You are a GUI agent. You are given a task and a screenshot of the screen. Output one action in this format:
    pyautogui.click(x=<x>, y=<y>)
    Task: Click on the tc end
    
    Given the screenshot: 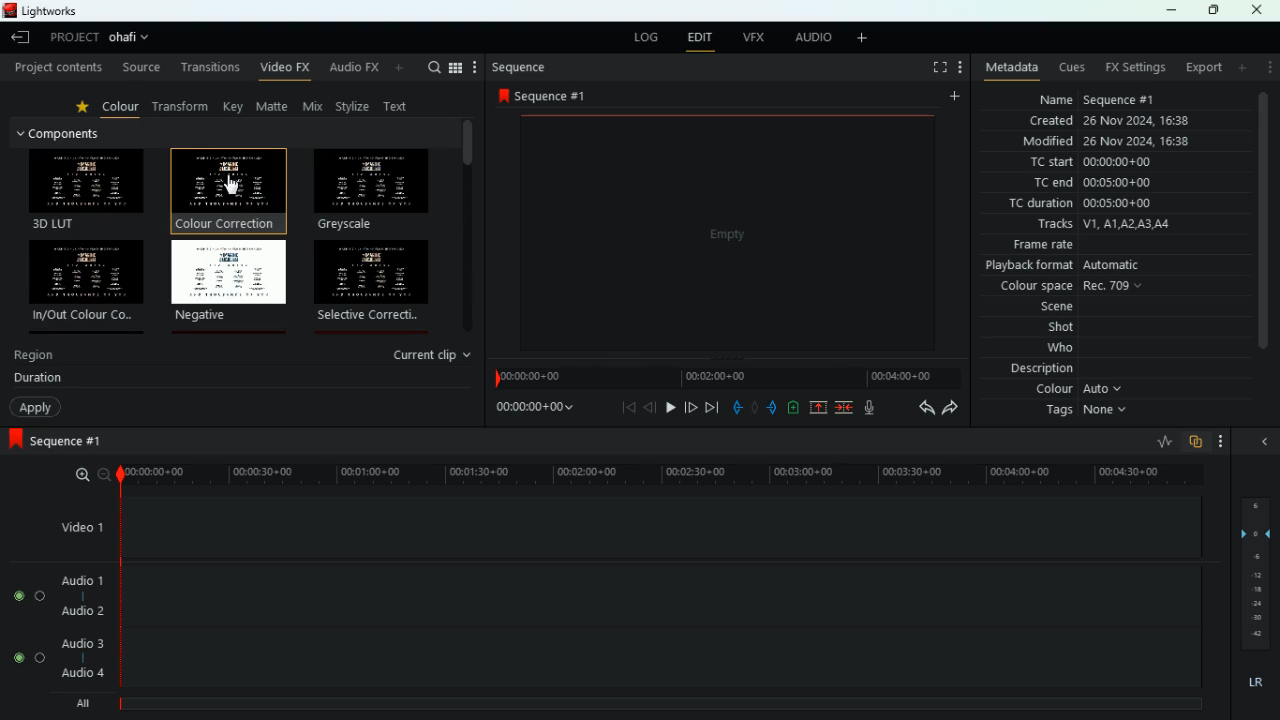 What is the action you would take?
    pyautogui.click(x=1119, y=184)
    